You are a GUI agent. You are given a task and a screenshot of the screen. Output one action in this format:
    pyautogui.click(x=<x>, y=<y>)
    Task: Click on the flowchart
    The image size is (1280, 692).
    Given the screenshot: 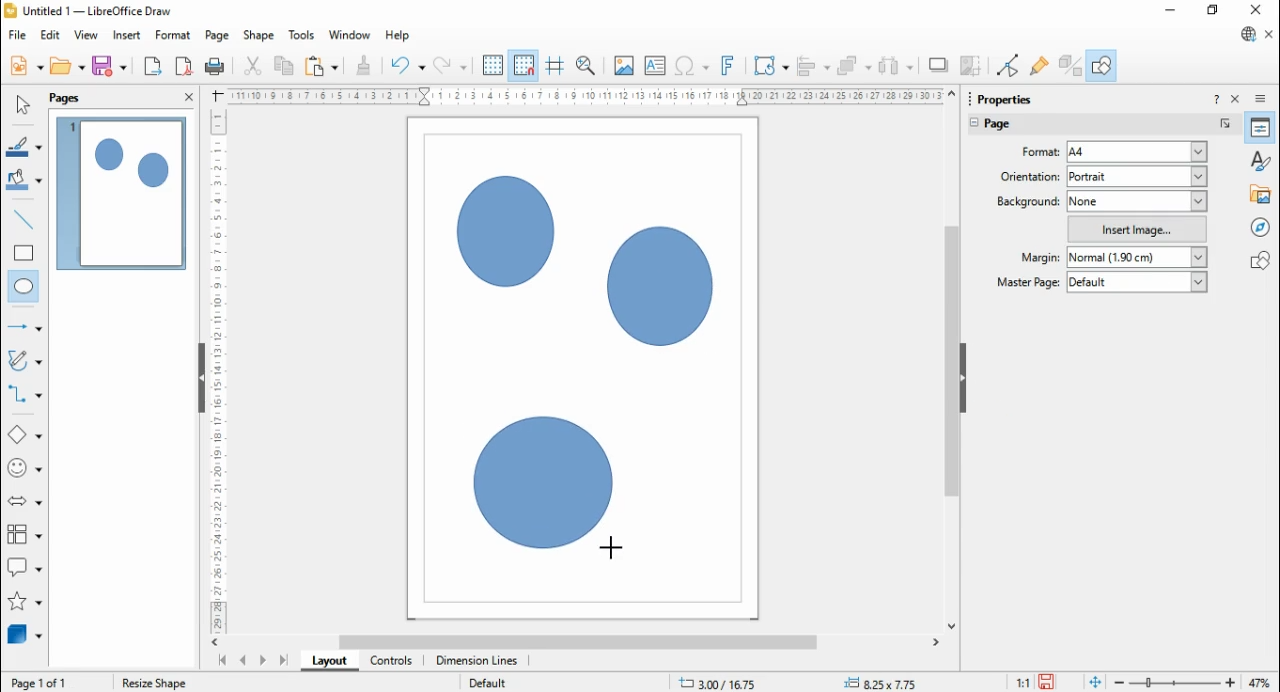 What is the action you would take?
    pyautogui.click(x=25, y=538)
    